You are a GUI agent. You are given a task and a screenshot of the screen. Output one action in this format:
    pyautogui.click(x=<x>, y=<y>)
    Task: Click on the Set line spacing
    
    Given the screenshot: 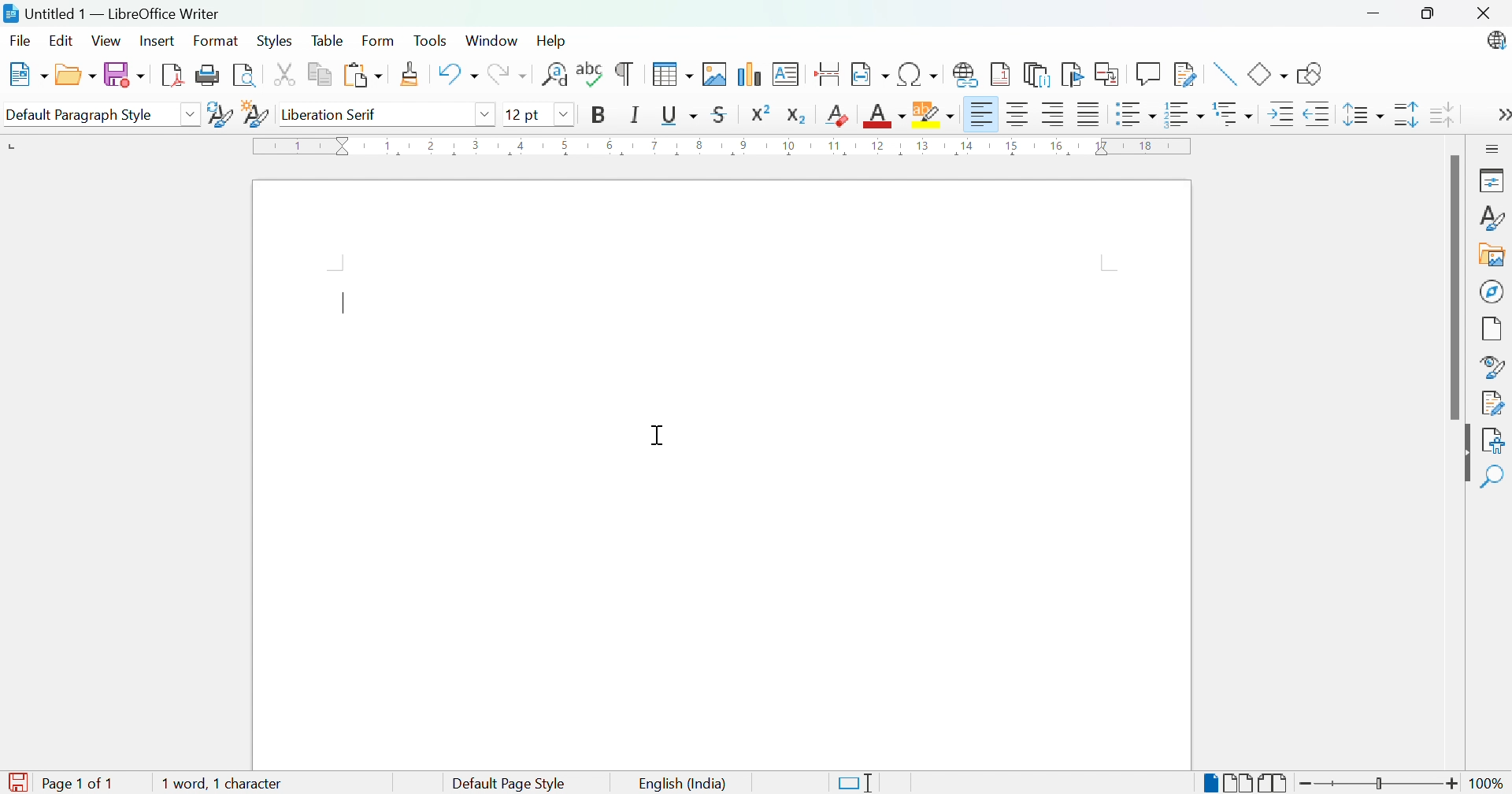 What is the action you would take?
    pyautogui.click(x=1362, y=114)
    